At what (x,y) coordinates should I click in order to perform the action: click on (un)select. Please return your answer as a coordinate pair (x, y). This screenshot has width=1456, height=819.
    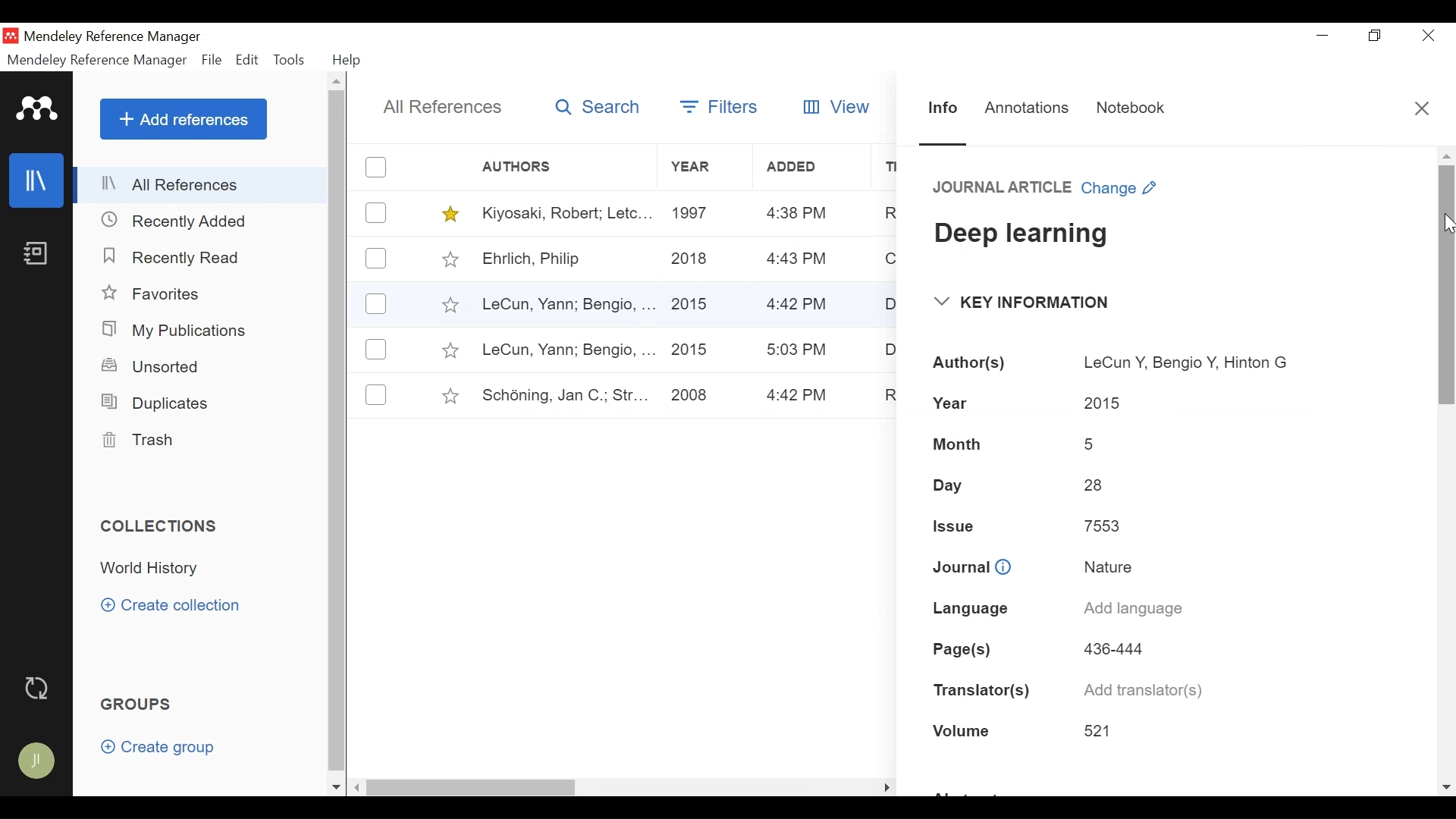
    Looking at the image, I should click on (376, 305).